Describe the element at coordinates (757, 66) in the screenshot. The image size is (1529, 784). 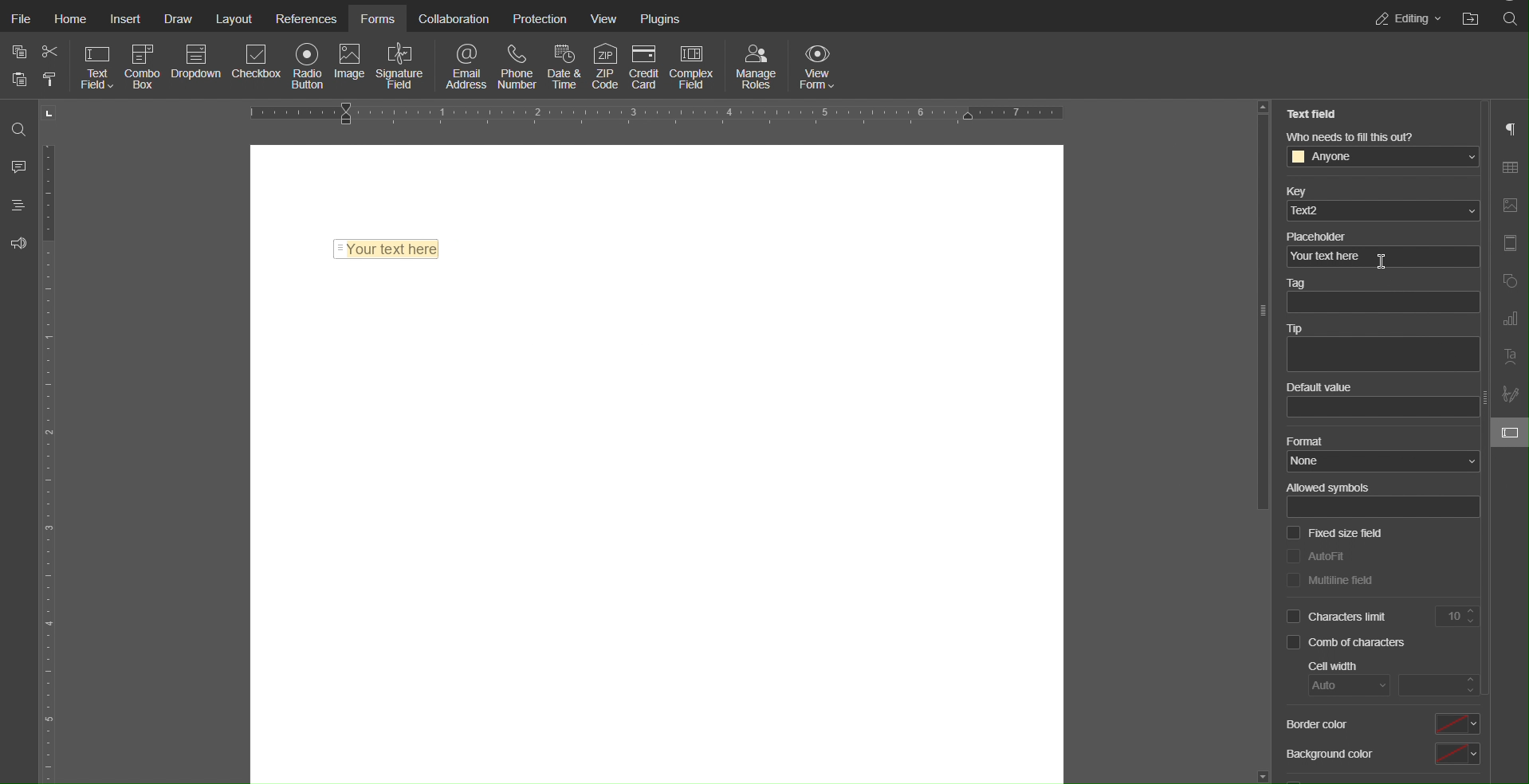
I see `Manage Roles` at that location.